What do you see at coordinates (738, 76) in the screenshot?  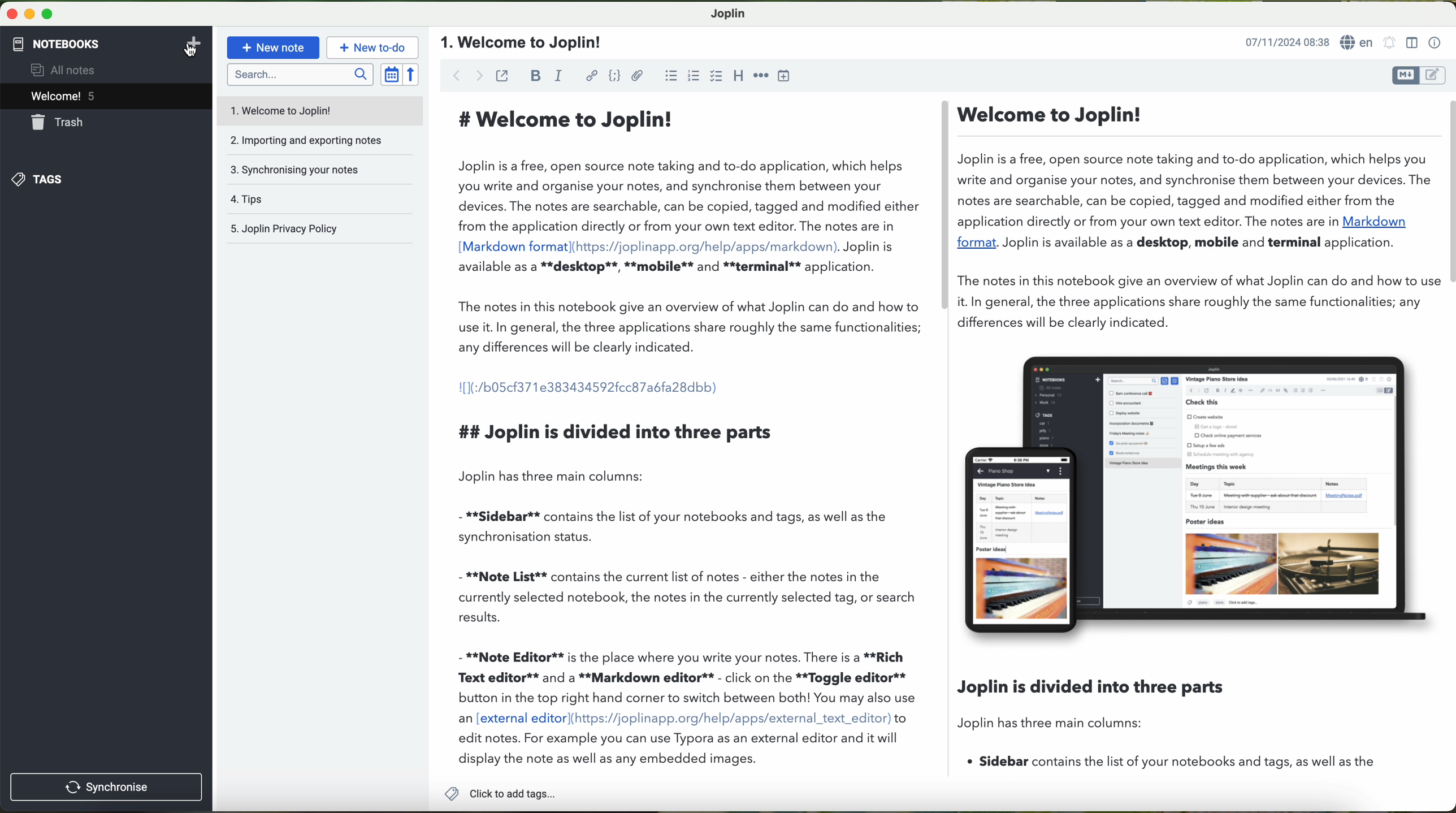 I see `heading` at bounding box center [738, 76].